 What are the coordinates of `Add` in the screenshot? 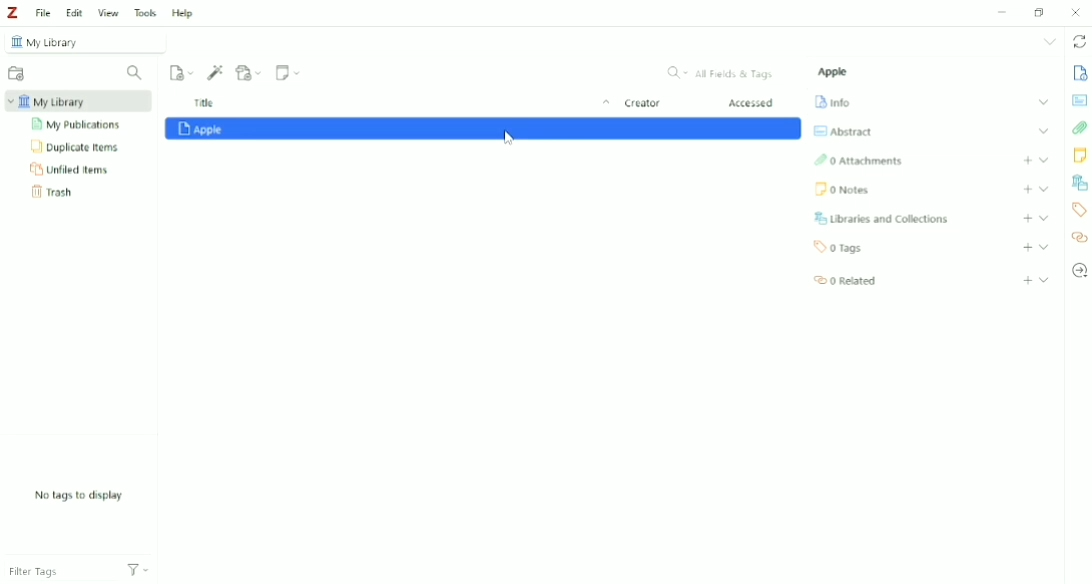 It's located at (1027, 248).